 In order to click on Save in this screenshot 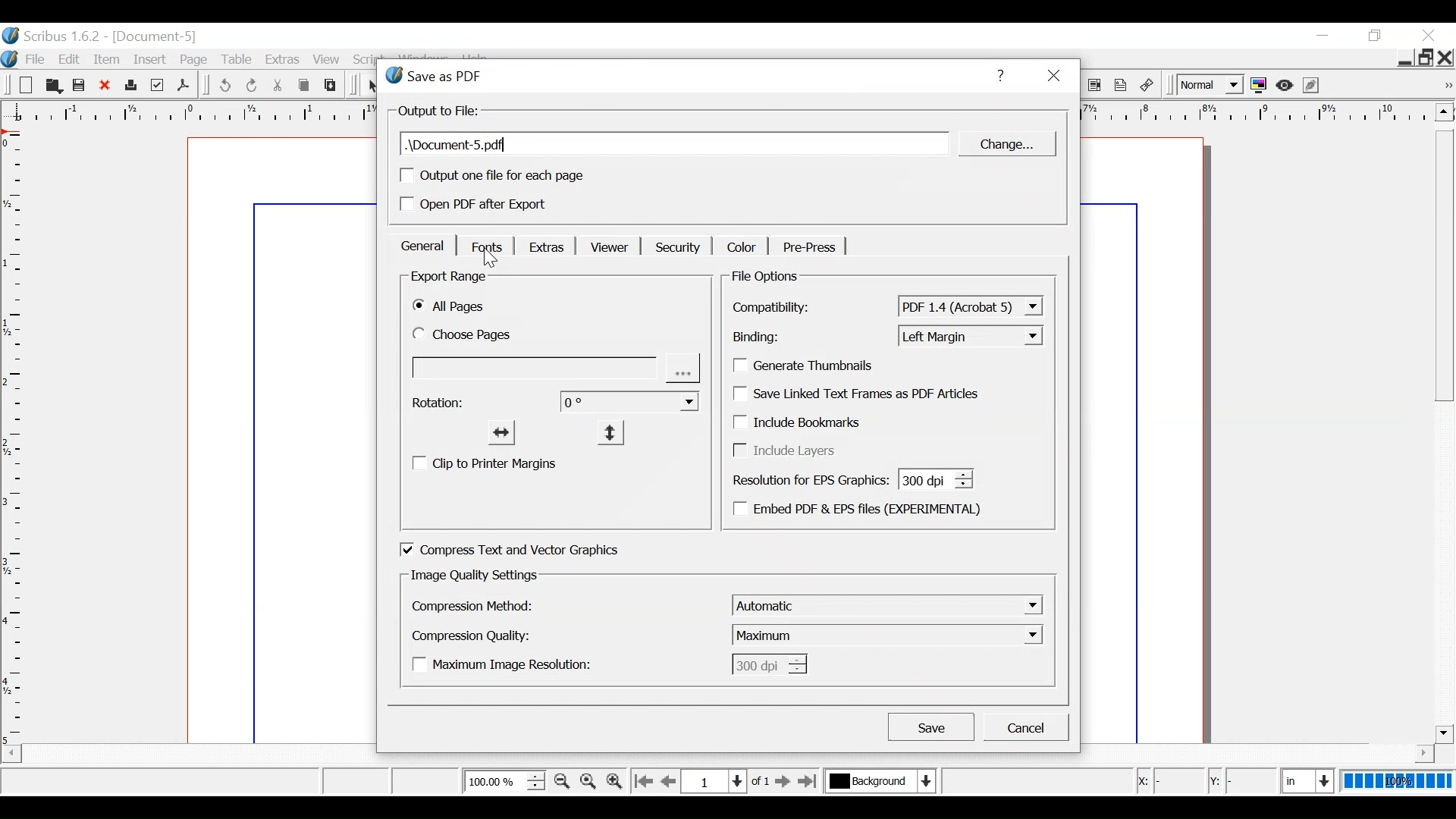, I will do `click(80, 86)`.